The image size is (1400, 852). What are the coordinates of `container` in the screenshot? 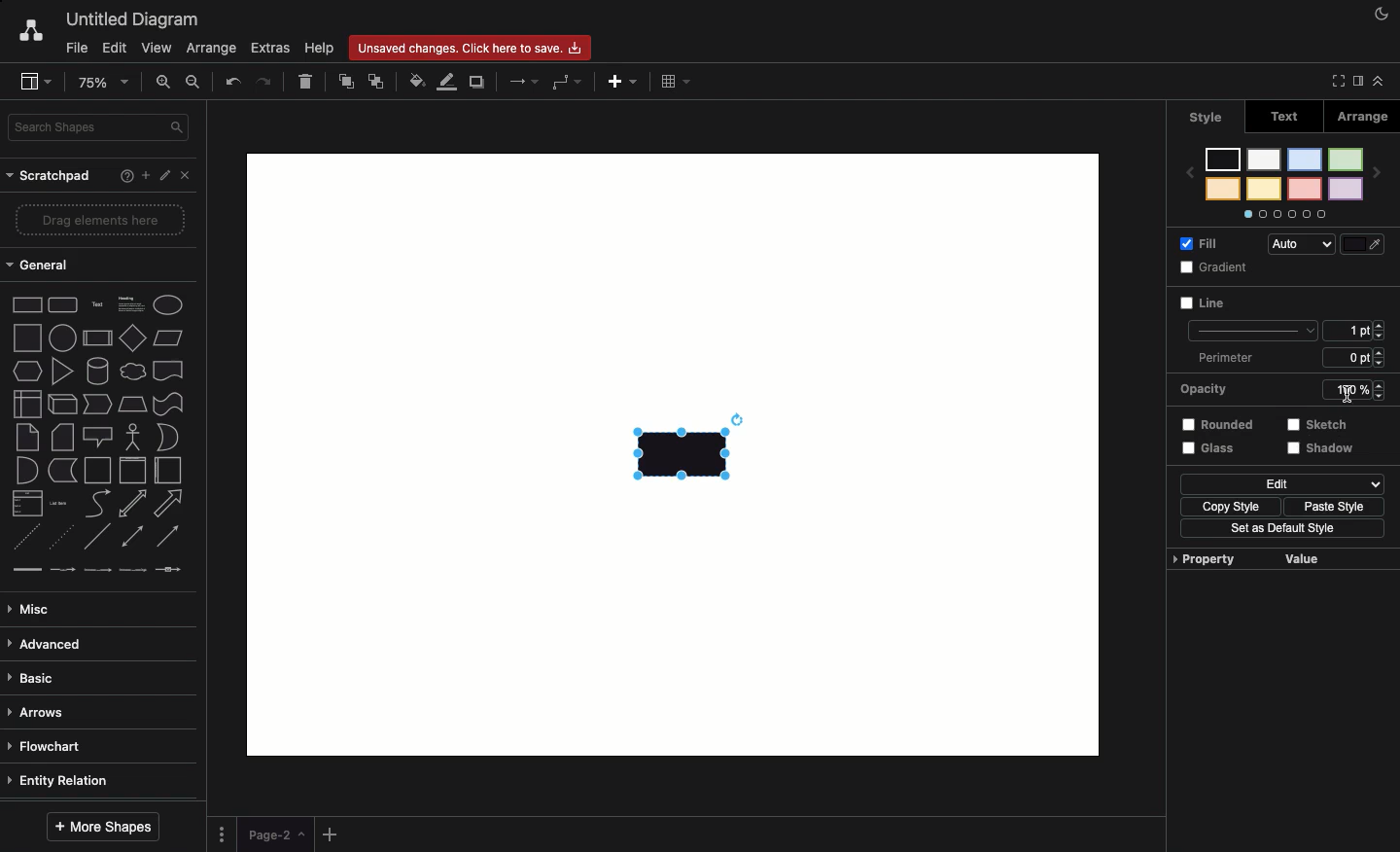 It's located at (97, 469).